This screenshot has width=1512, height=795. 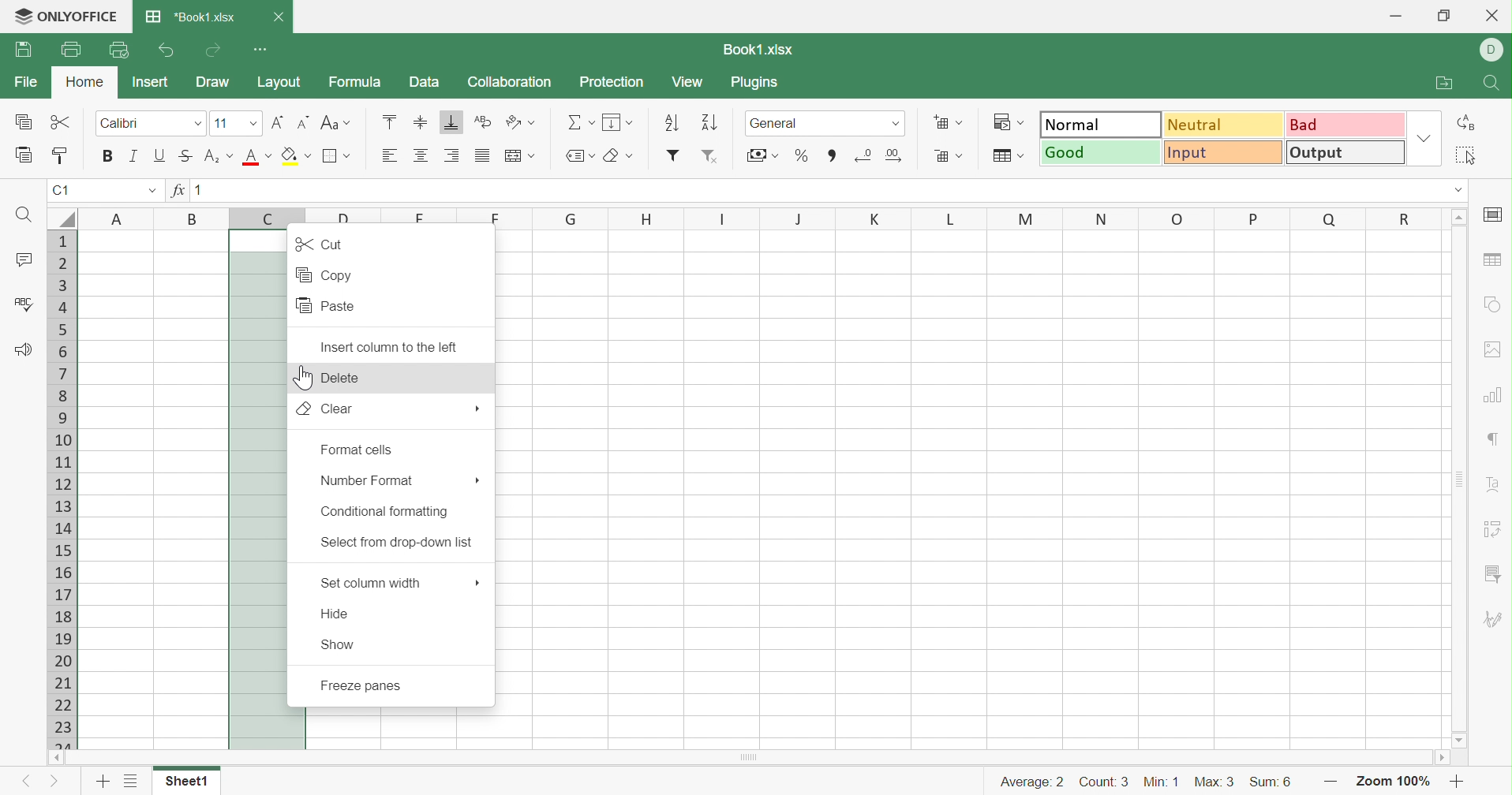 I want to click on Layout, so click(x=281, y=82).